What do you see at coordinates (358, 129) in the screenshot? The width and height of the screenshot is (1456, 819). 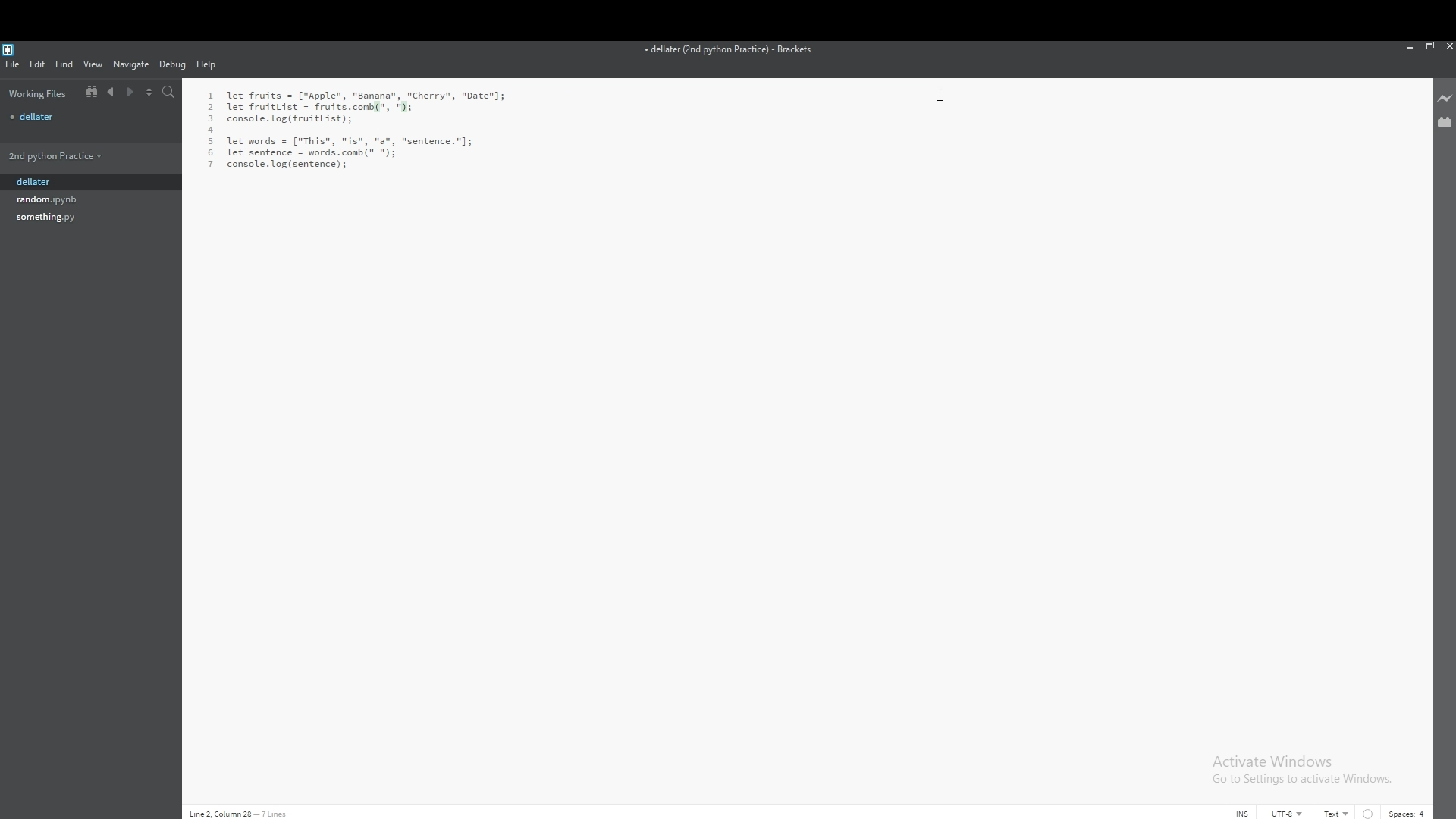 I see `new text` at bounding box center [358, 129].